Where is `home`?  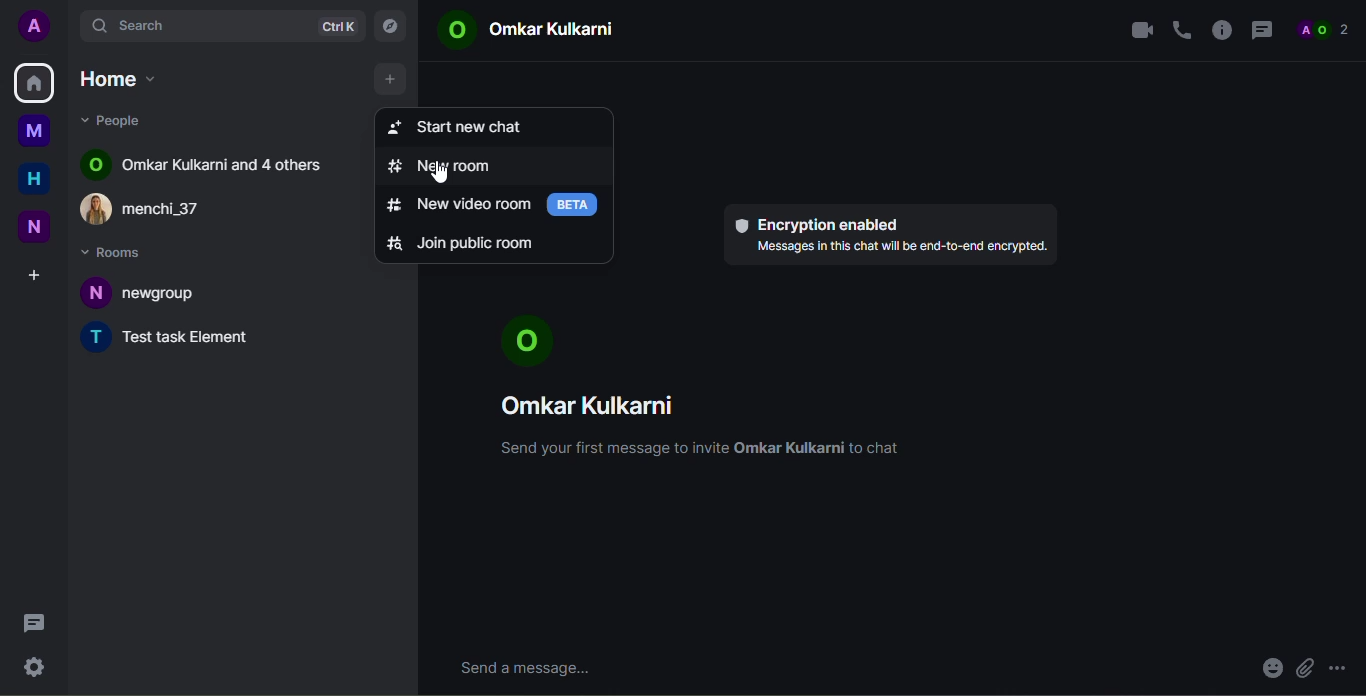
home is located at coordinates (122, 82).